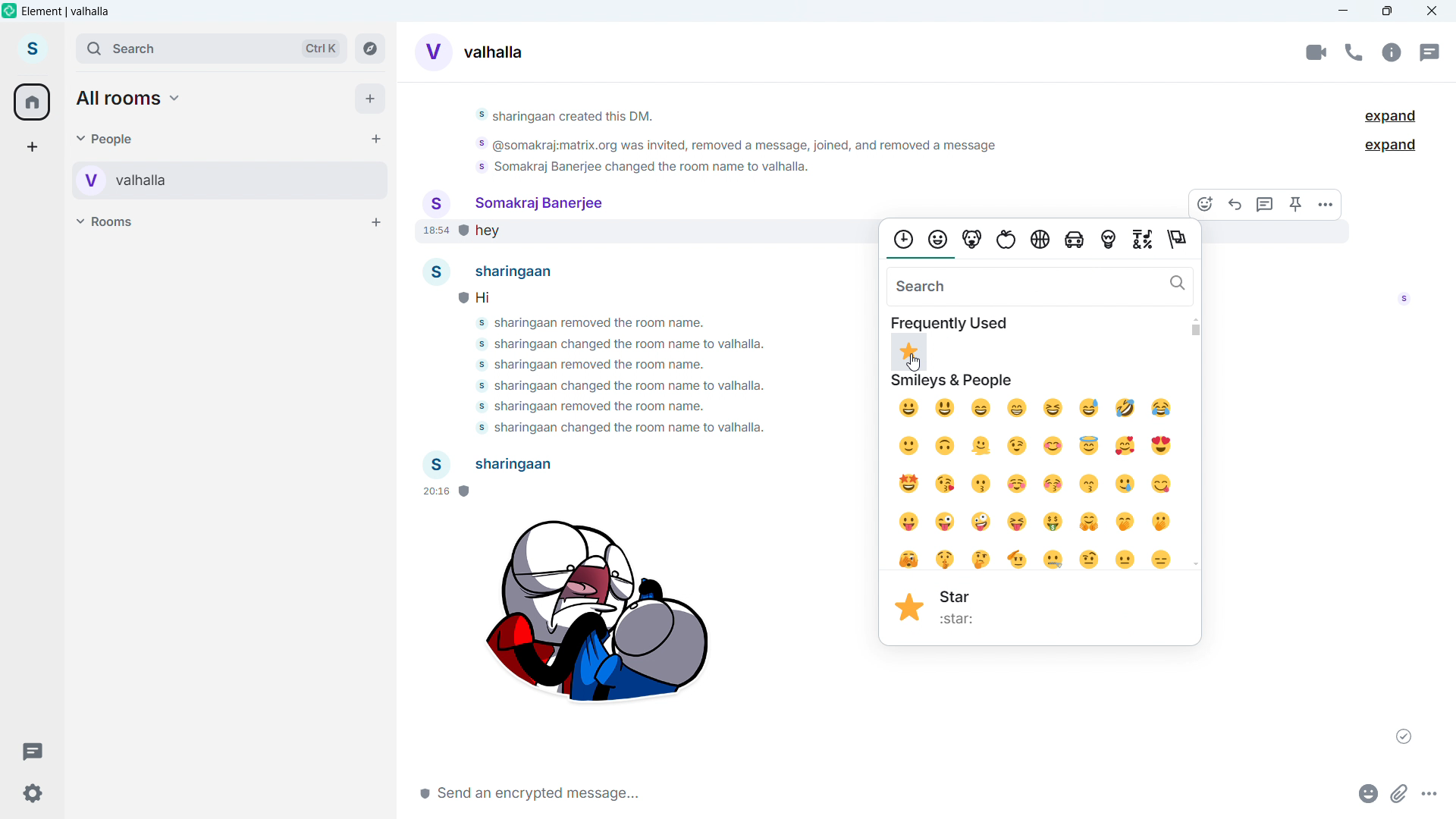 Image resolution: width=1456 pixels, height=819 pixels. I want to click on face with open eyes and hand over mouth, so click(1166, 523).